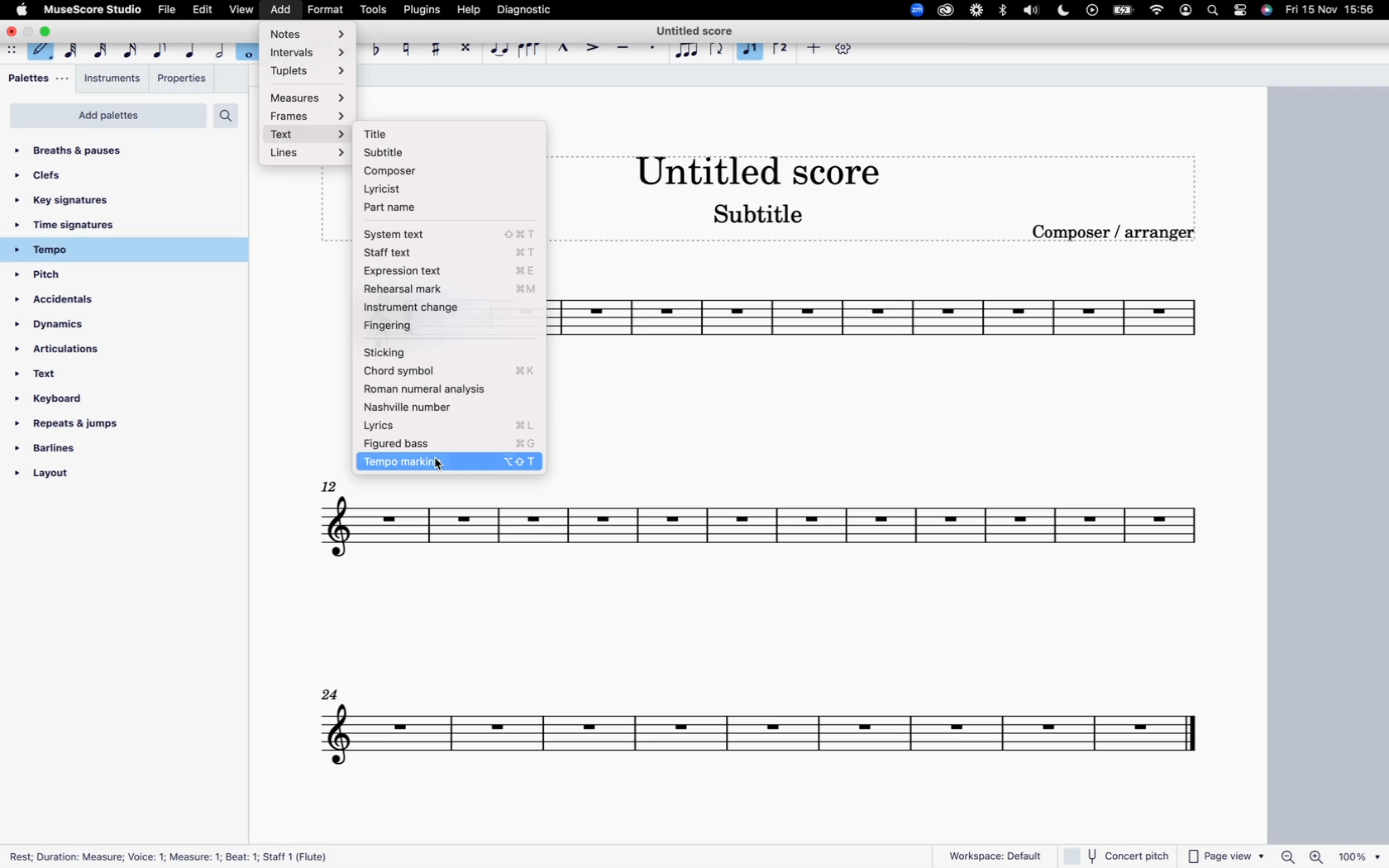 The width and height of the screenshot is (1389, 868). Describe the element at coordinates (443, 351) in the screenshot. I see `sticking` at that location.